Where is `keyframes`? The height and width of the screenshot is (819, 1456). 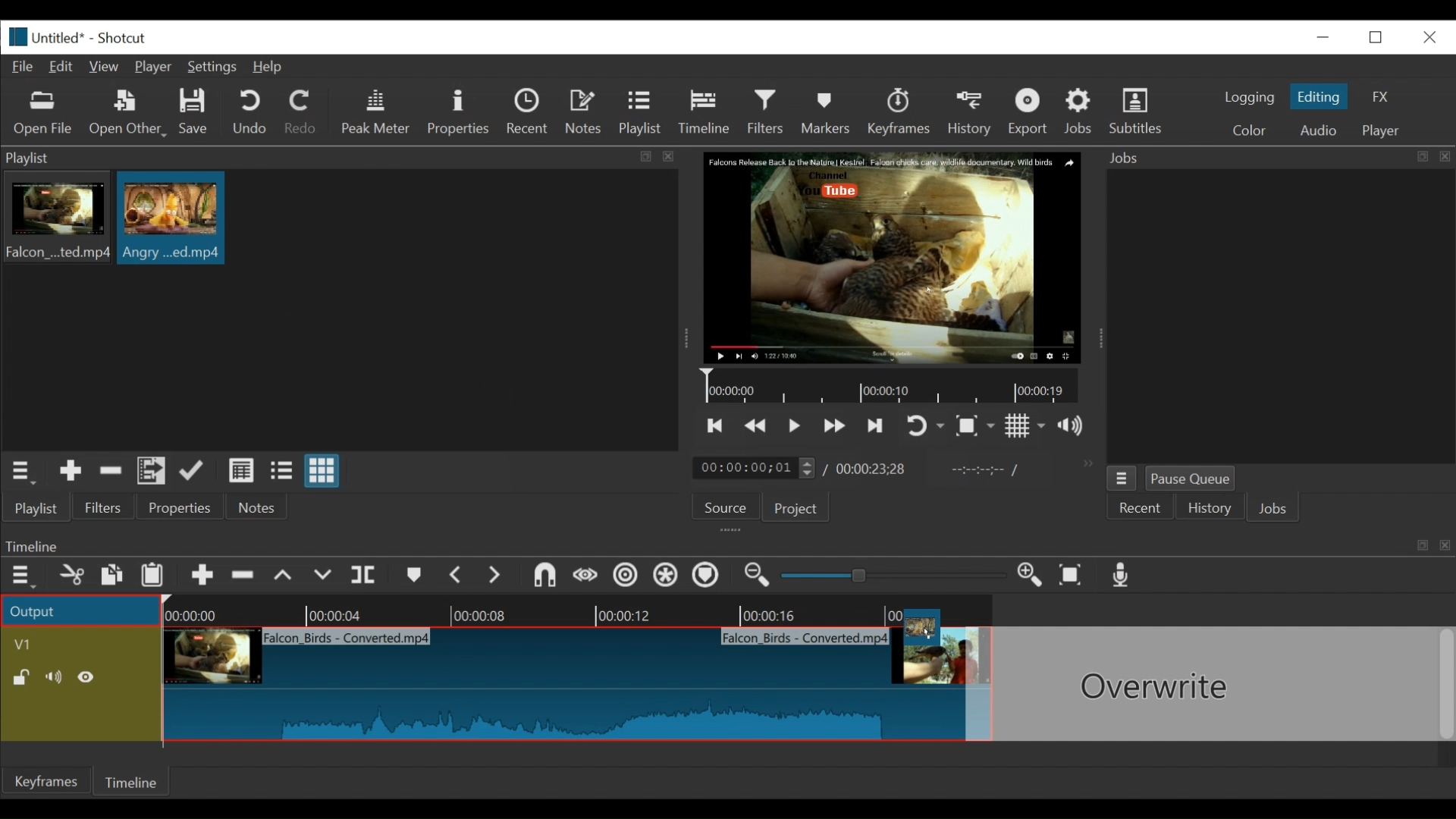
keyframes is located at coordinates (900, 114).